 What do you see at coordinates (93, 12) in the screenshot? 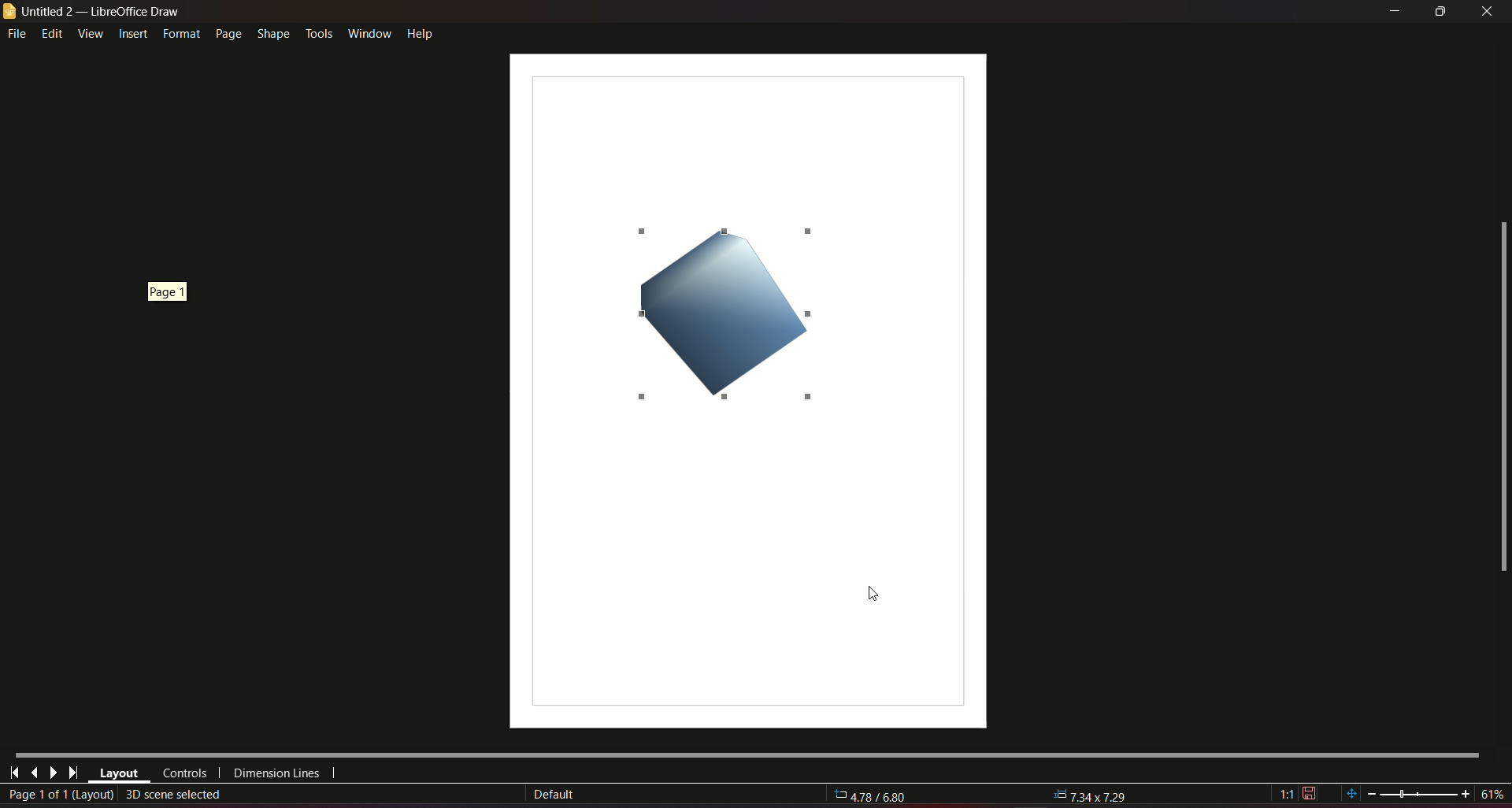
I see `logo and title` at bounding box center [93, 12].